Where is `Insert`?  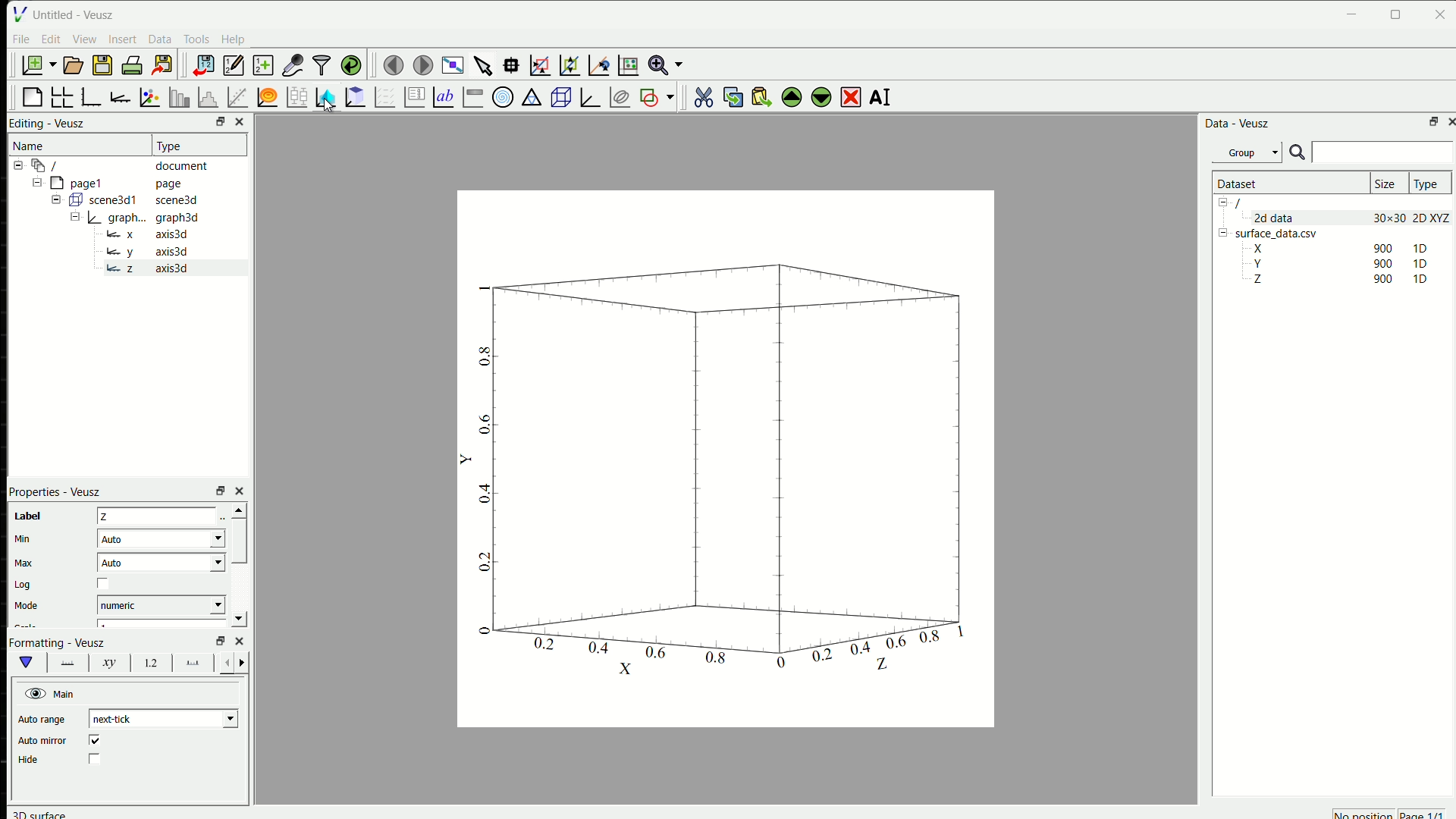
Insert is located at coordinates (125, 39).